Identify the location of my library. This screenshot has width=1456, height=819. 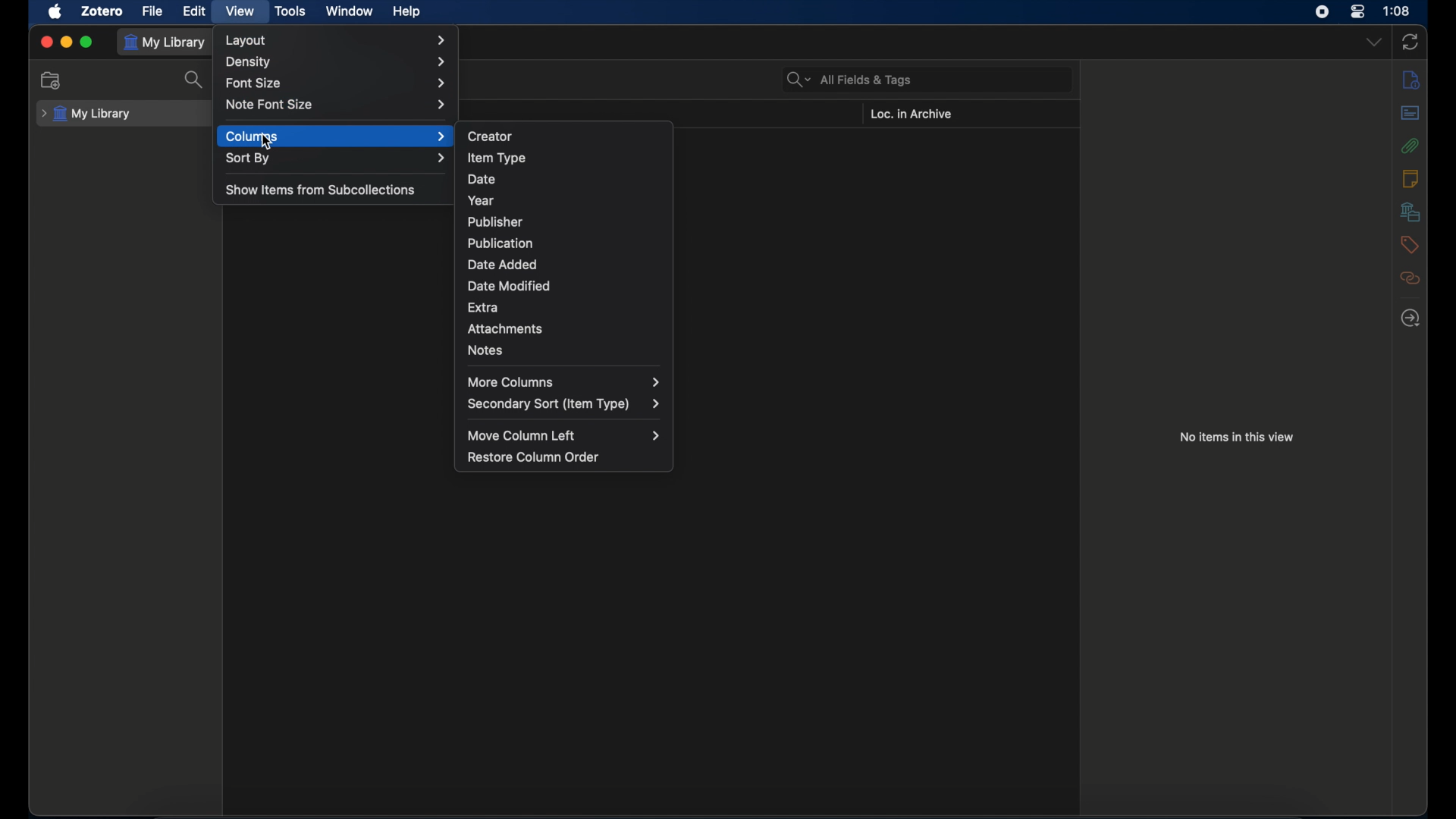
(86, 115).